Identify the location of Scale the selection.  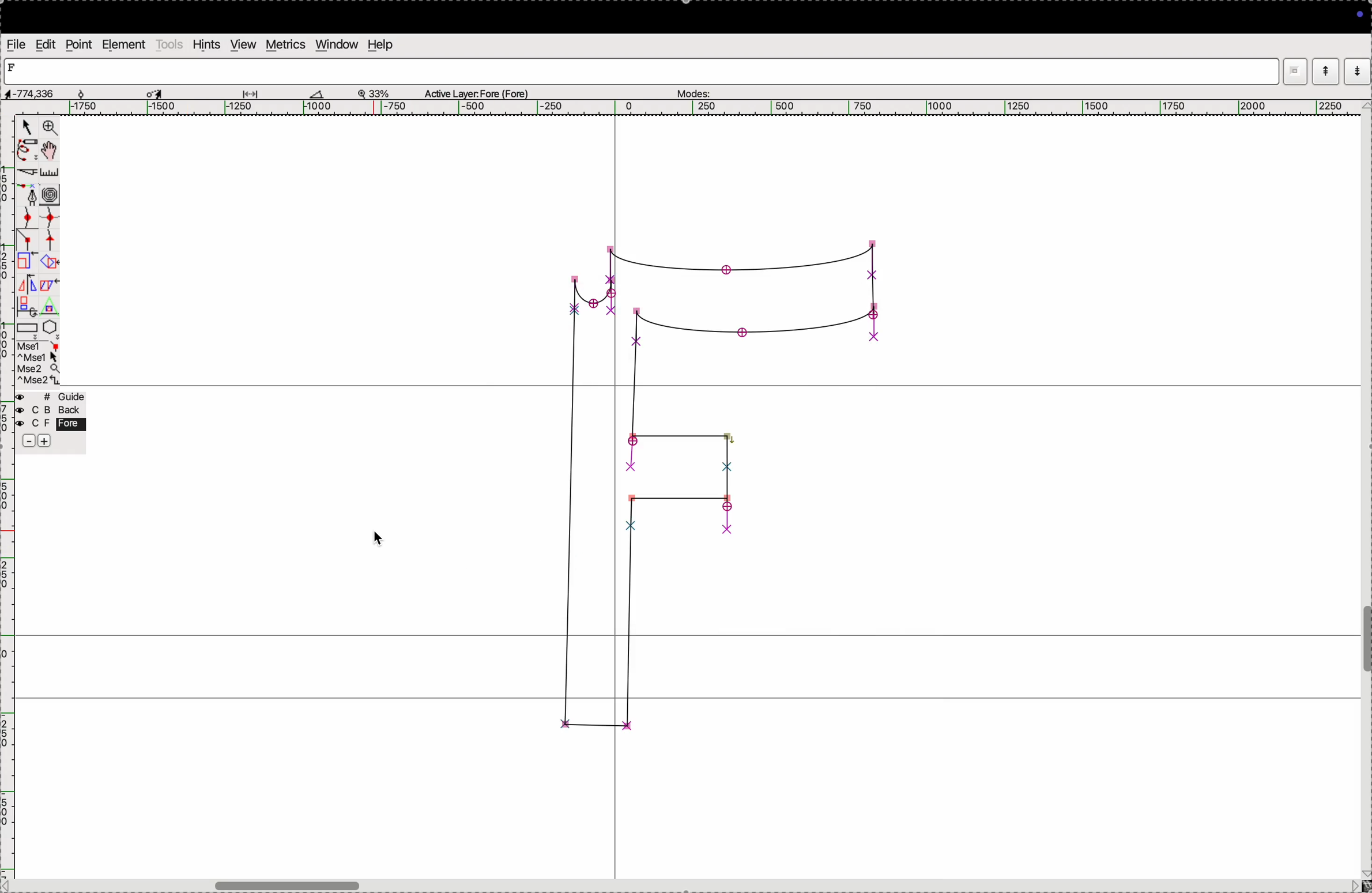
(27, 264).